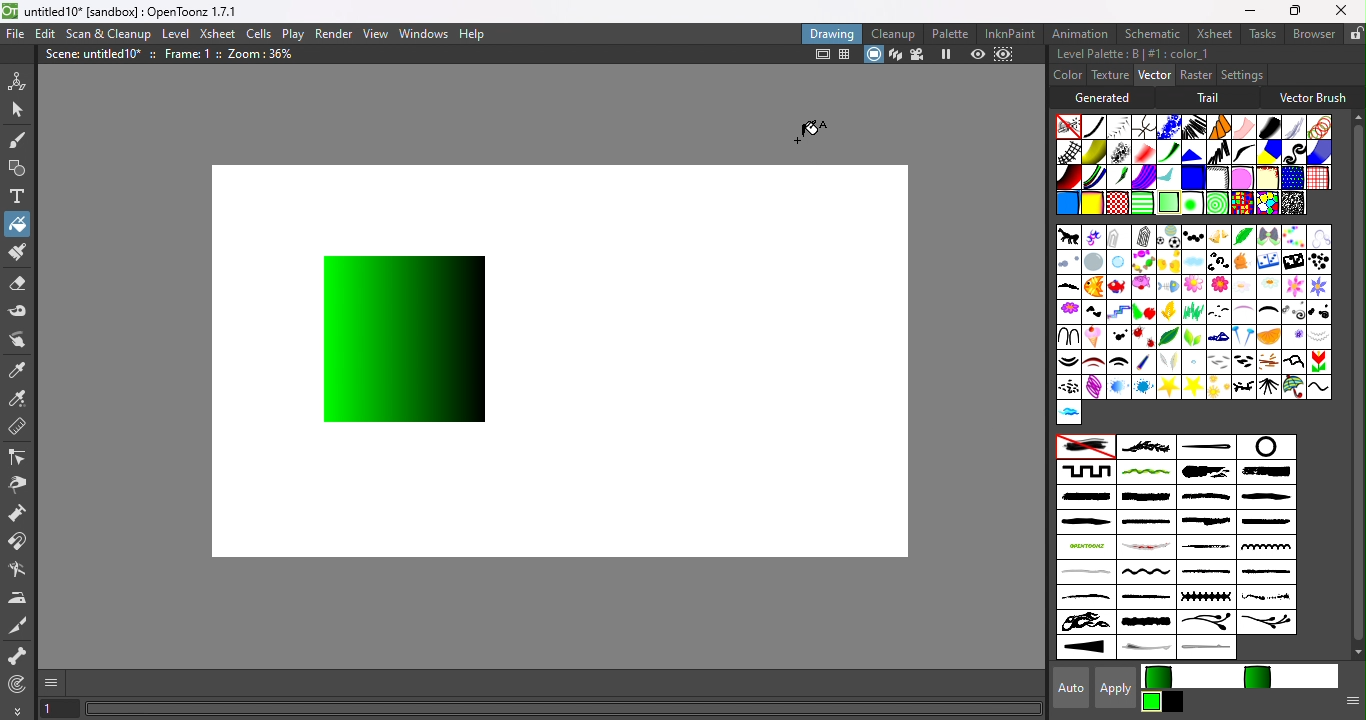  What do you see at coordinates (1167, 313) in the screenshot?
I see `` at bounding box center [1167, 313].